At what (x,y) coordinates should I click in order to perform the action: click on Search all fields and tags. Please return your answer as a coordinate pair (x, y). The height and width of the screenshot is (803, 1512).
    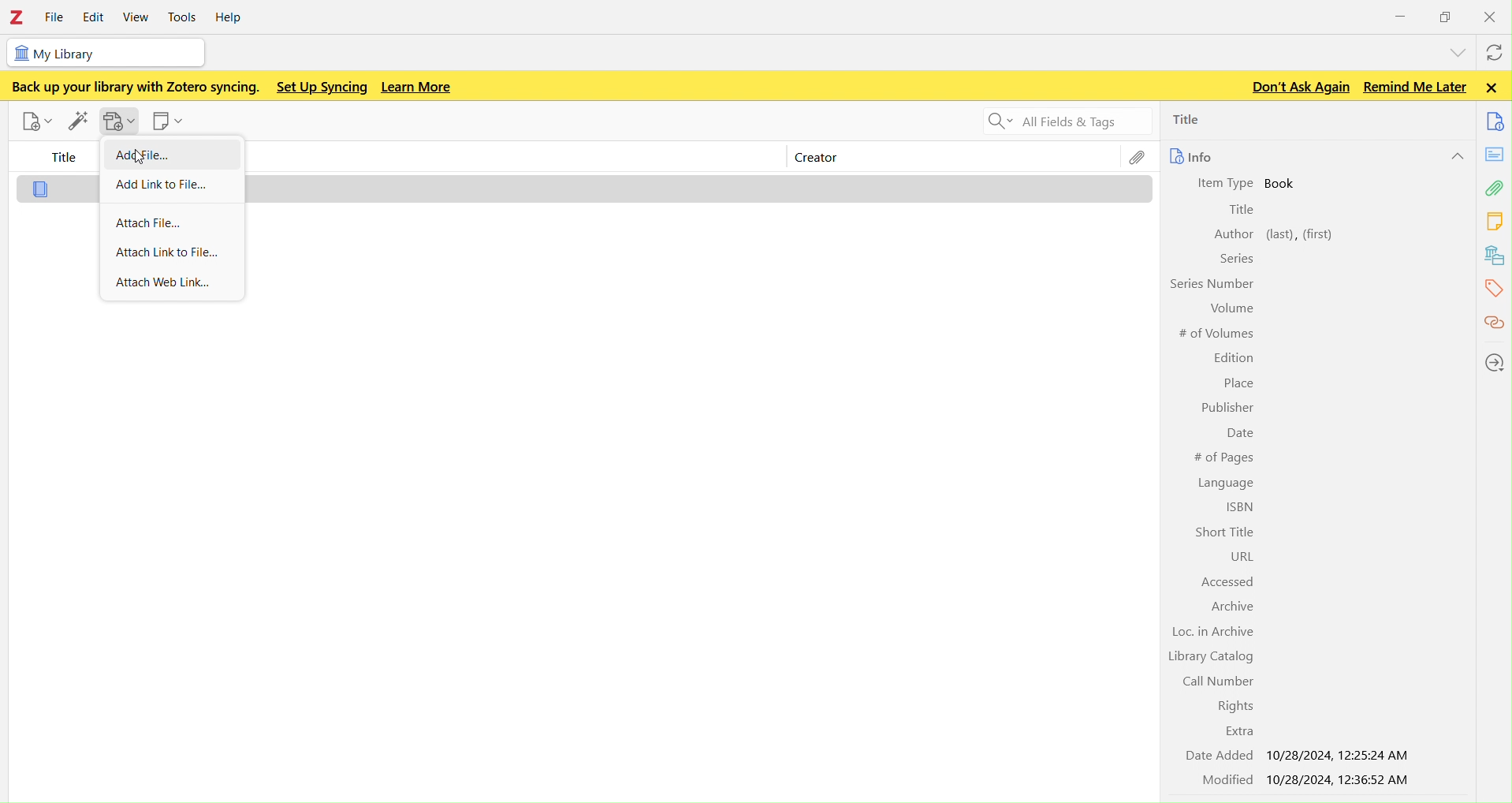
    Looking at the image, I should click on (1063, 121).